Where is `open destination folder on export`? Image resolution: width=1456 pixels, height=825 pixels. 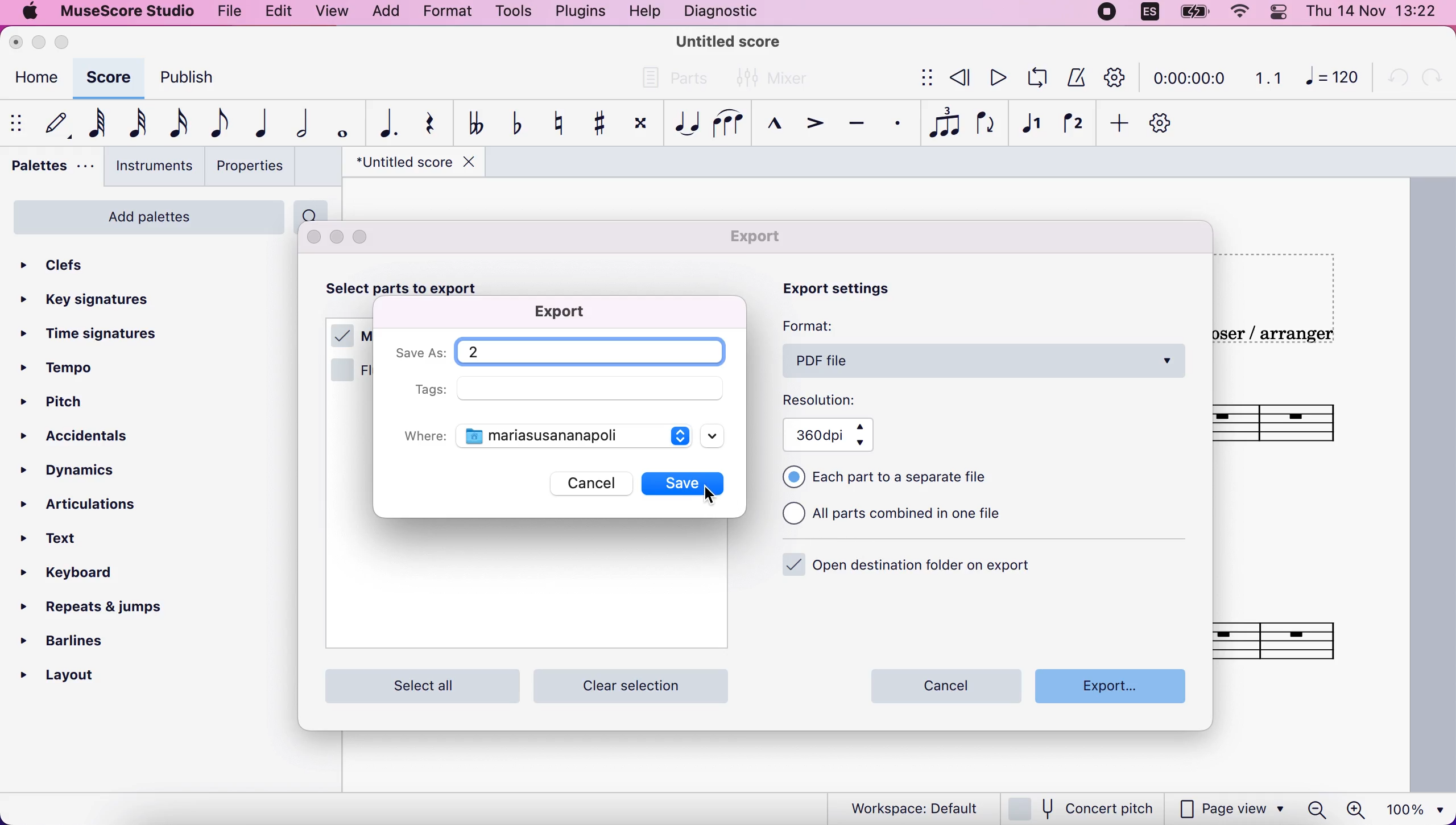 open destination folder on export is located at coordinates (912, 568).